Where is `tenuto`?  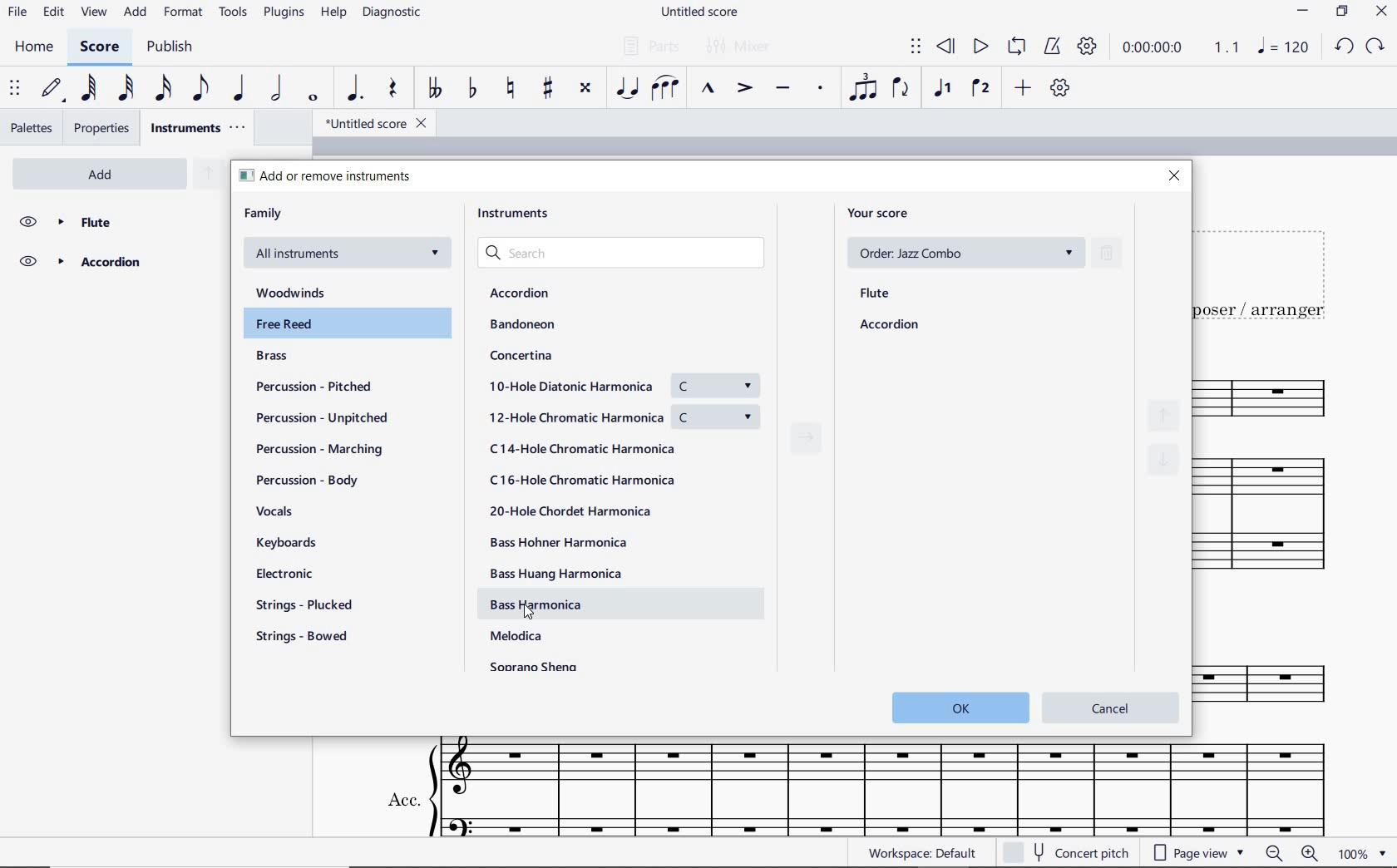
tenuto is located at coordinates (782, 89).